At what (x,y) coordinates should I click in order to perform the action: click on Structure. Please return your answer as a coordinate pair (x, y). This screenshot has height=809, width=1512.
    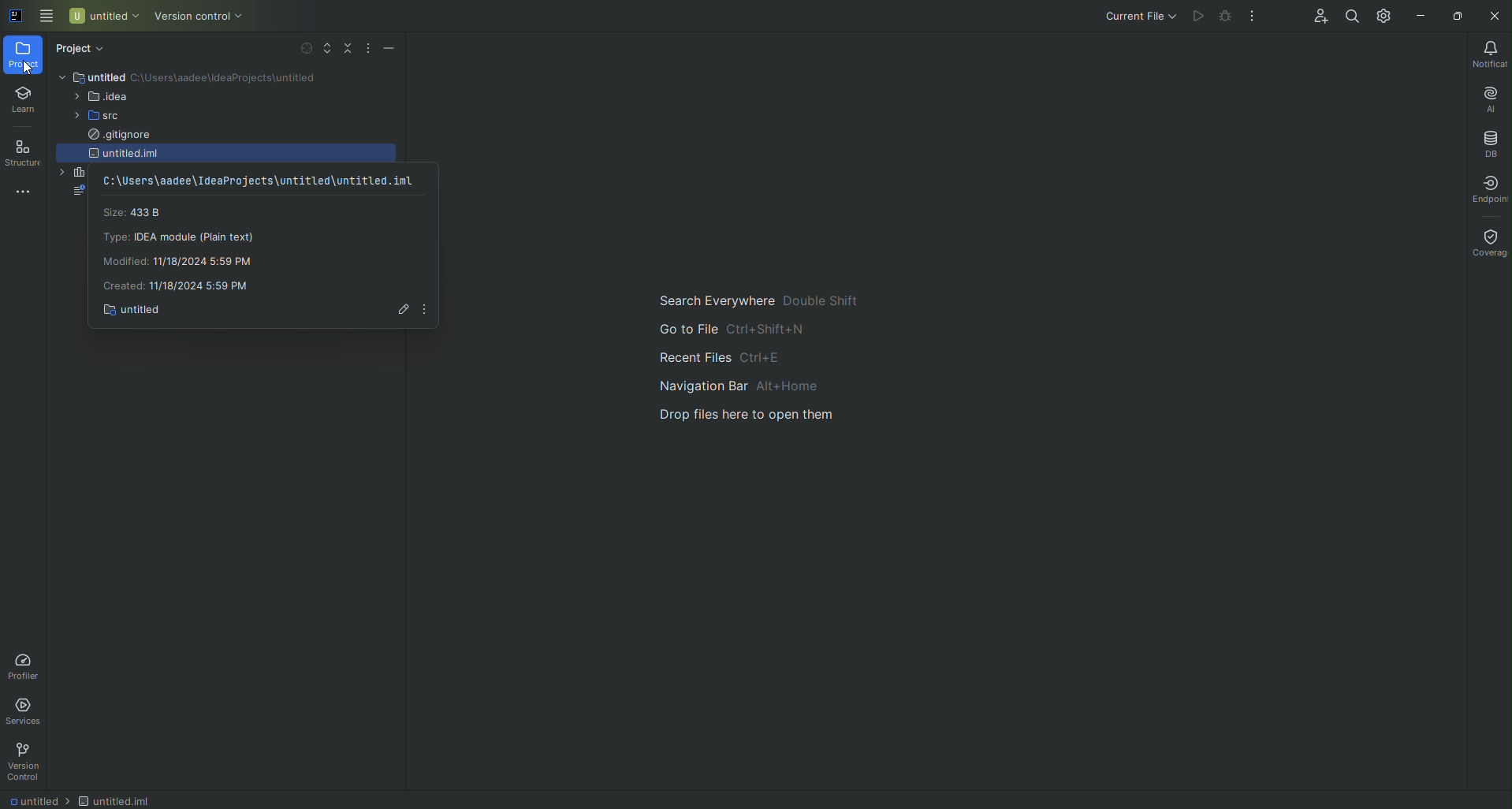
    Looking at the image, I should click on (21, 153).